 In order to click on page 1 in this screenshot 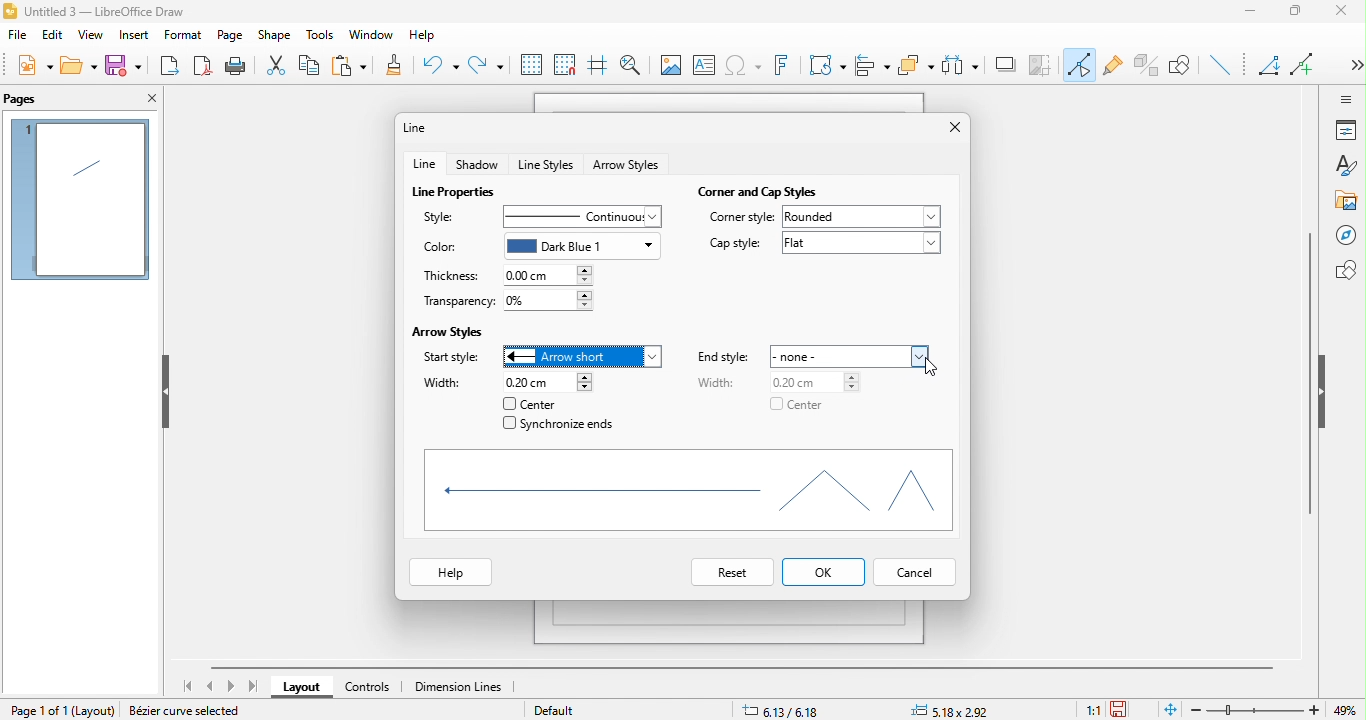, I will do `click(80, 200)`.